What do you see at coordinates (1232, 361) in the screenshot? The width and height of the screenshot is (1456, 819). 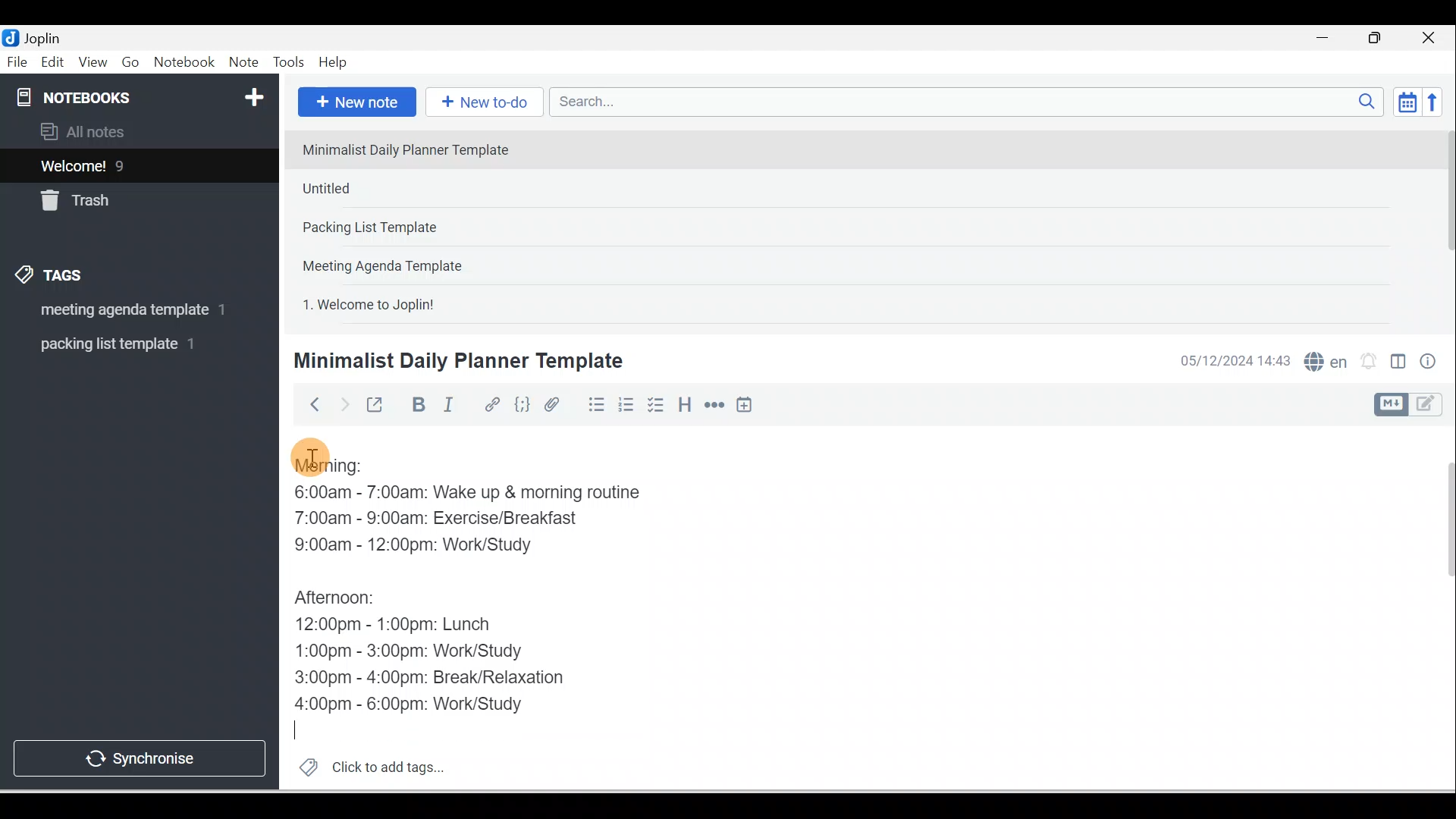 I see `Date & time` at bounding box center [1232, 361].